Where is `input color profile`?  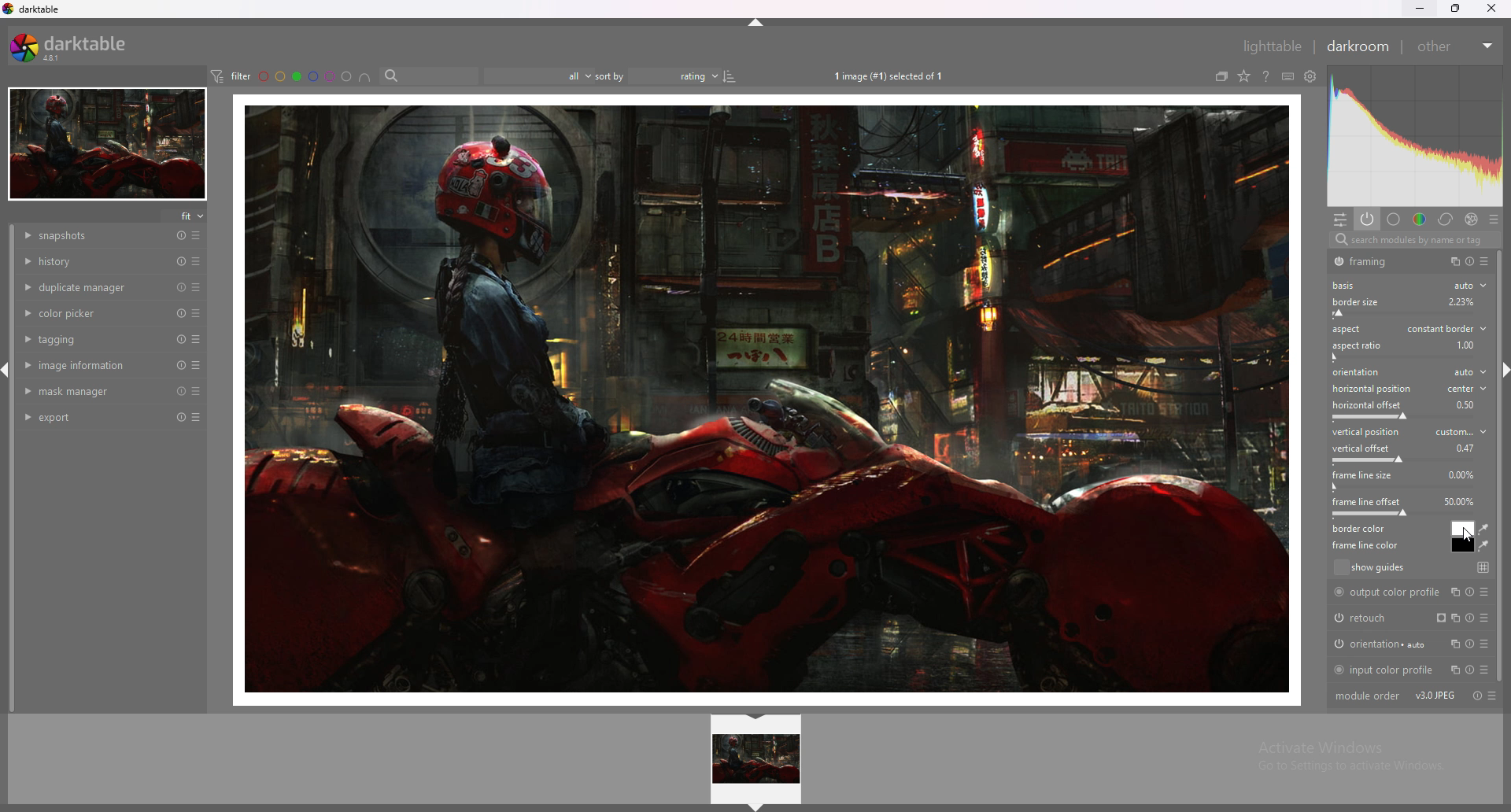 input color profile is located at coordinates (1409, 668).